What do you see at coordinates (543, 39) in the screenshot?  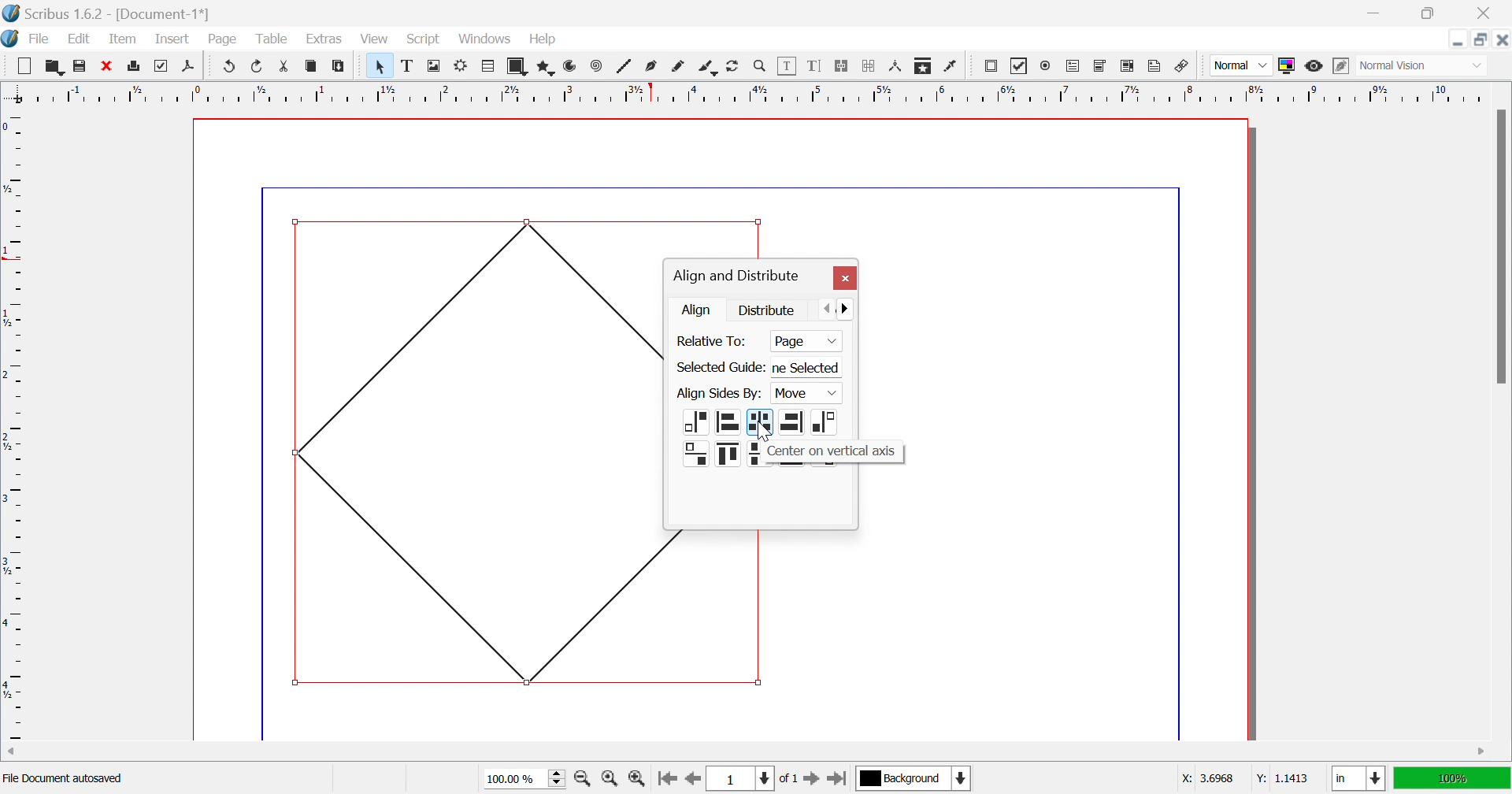 I see `Help` at bounding box center [543, 39].